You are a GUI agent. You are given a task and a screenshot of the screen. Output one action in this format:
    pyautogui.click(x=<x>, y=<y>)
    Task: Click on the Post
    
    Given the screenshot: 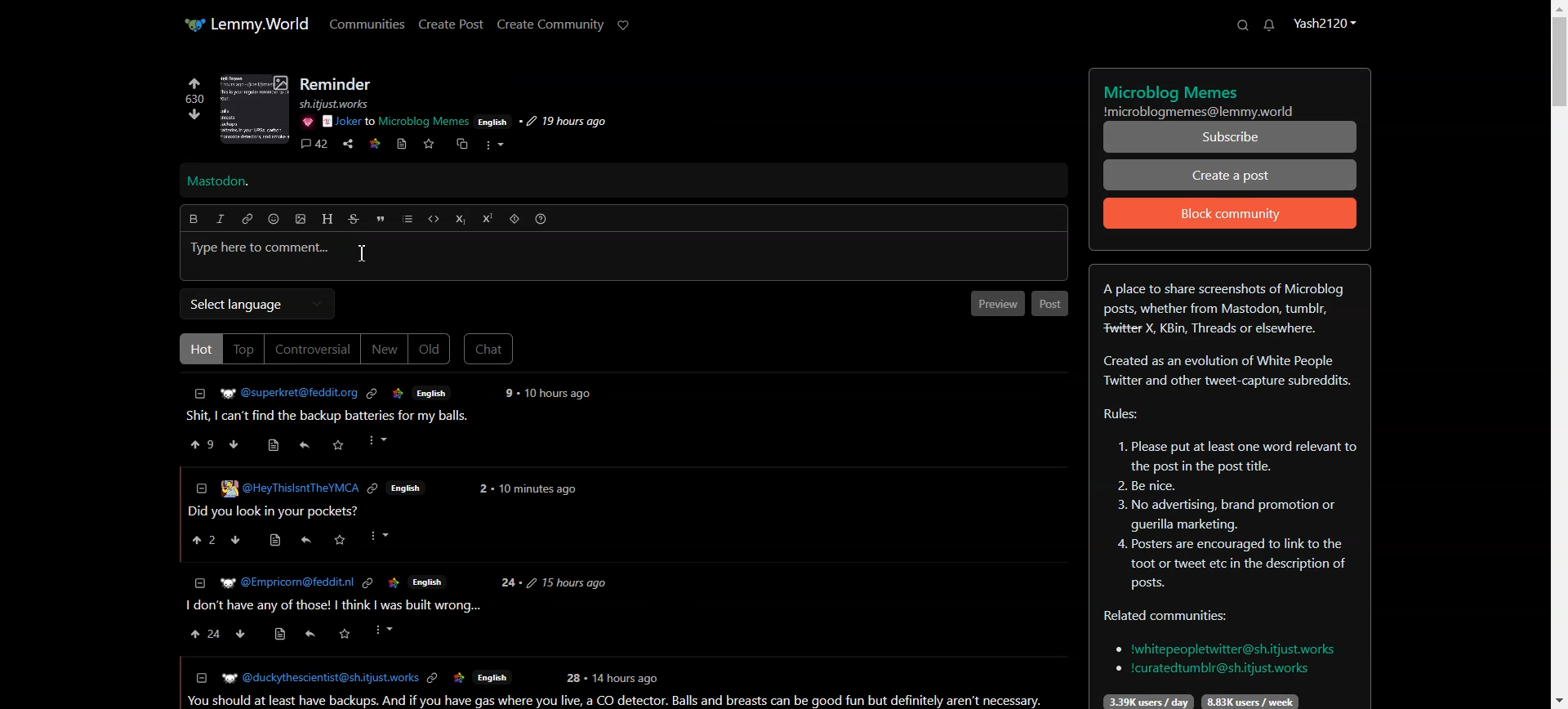 What is the action you would take?
    pyautogui.click(x=1050, y=304)
    